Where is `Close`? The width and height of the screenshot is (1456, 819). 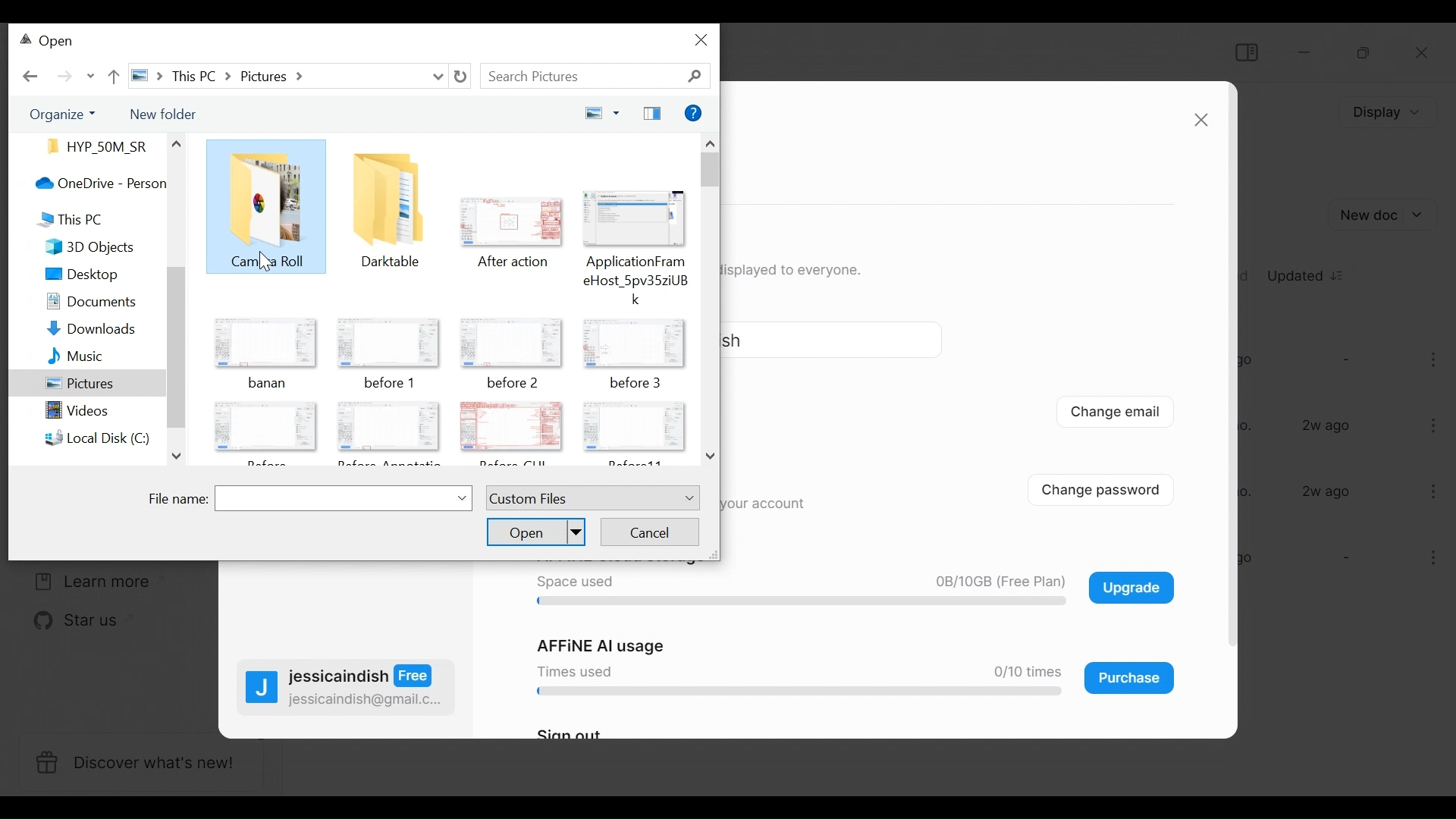
Close is located at coordinates (1423, 55).